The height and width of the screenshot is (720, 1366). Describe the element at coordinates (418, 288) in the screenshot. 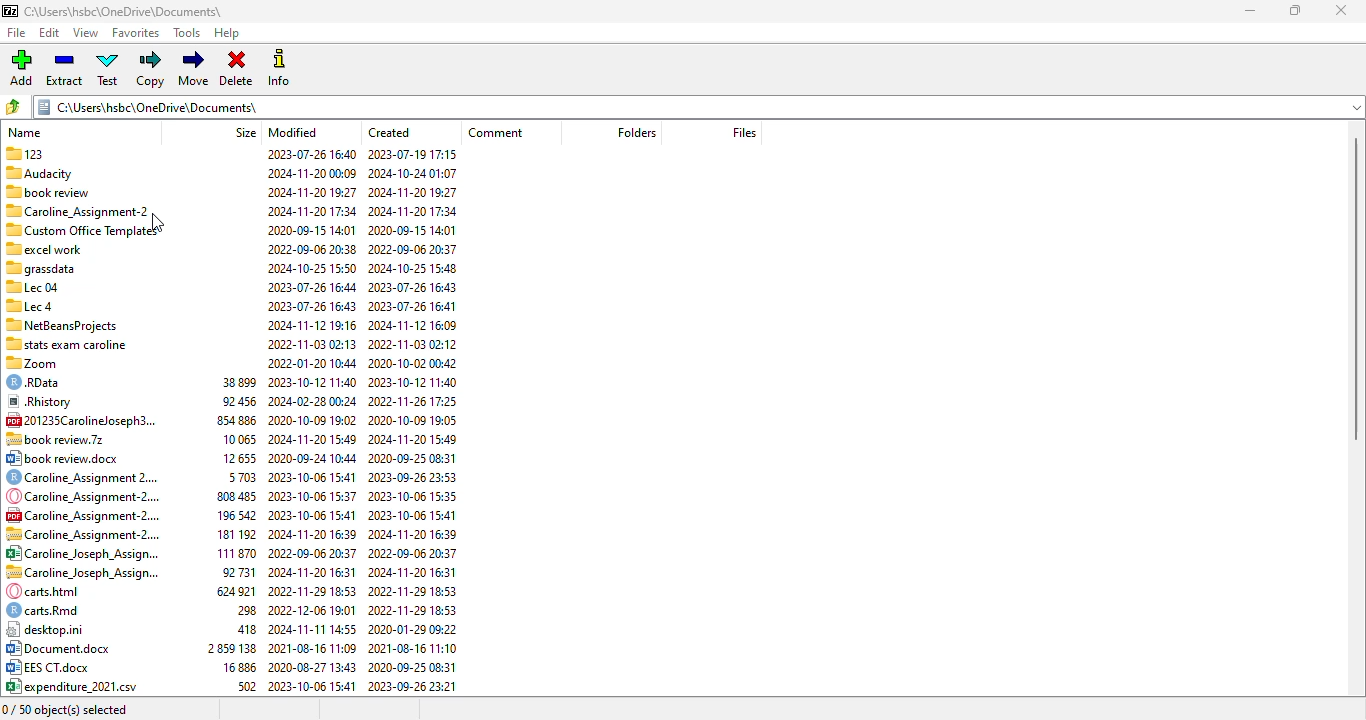

I see `2023-07-26 16:43` at that location.